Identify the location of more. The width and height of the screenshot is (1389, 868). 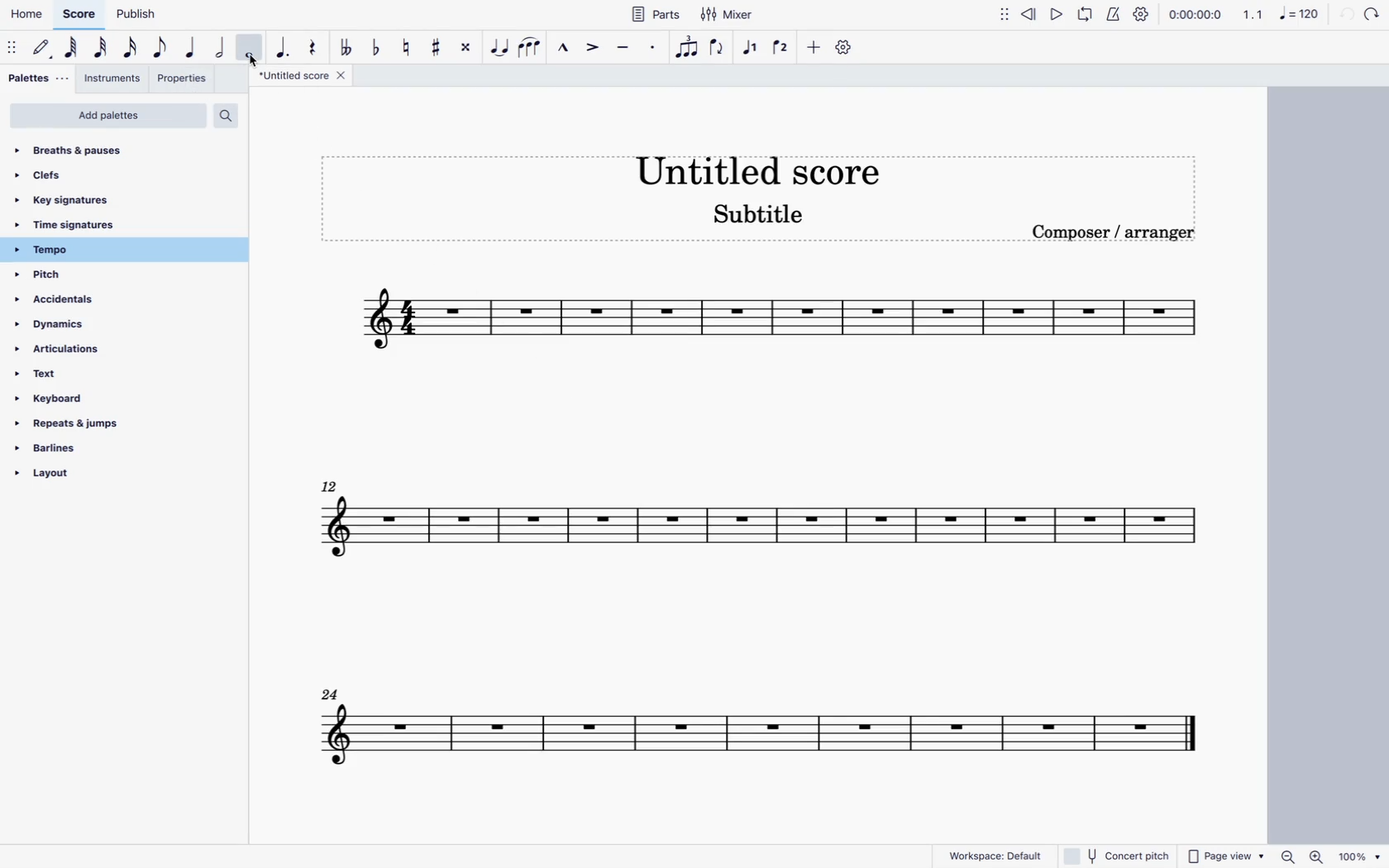
(812, 48).